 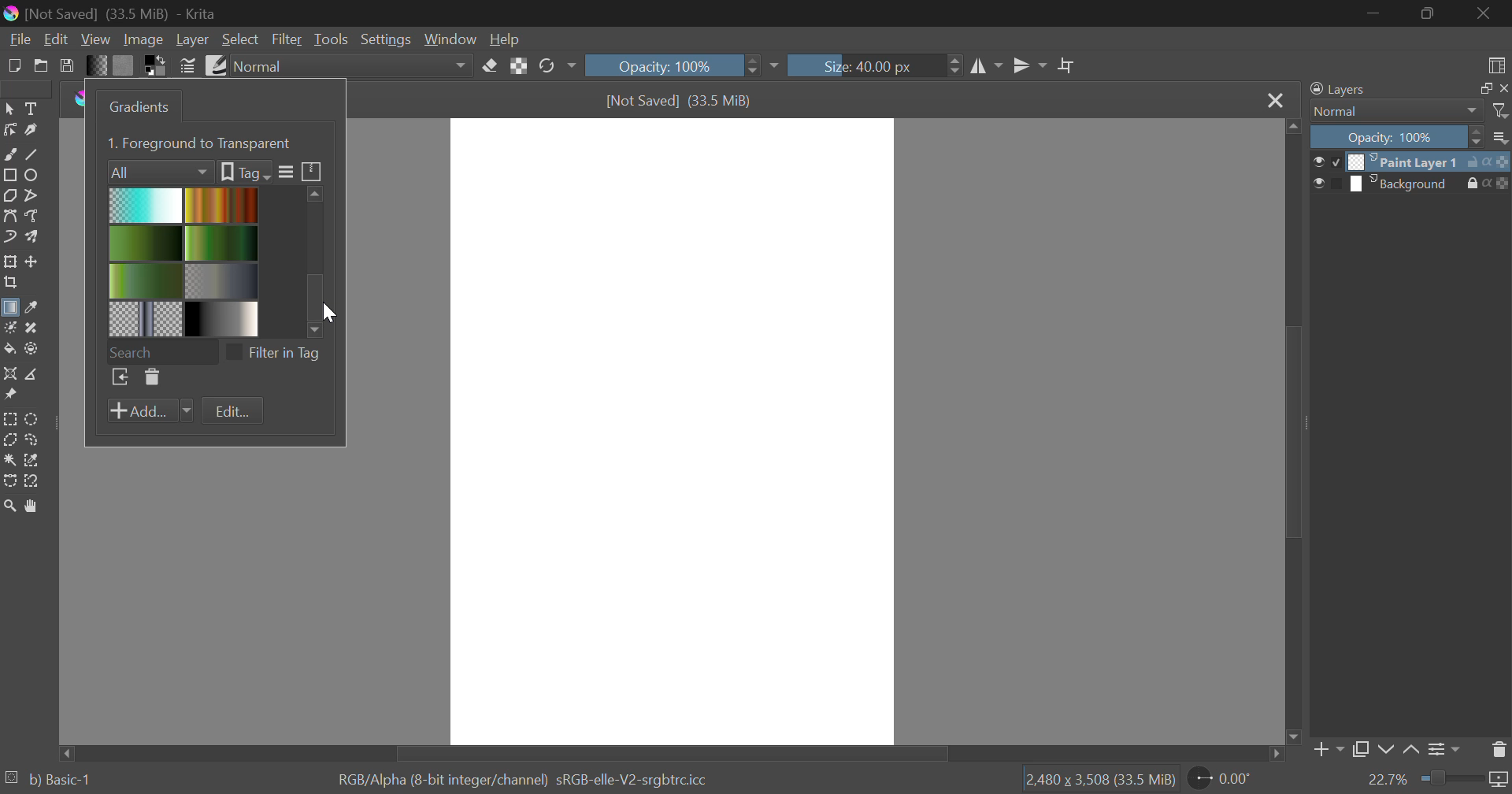 I want to click on Rectangular Selection, so click(x=11, y=420).